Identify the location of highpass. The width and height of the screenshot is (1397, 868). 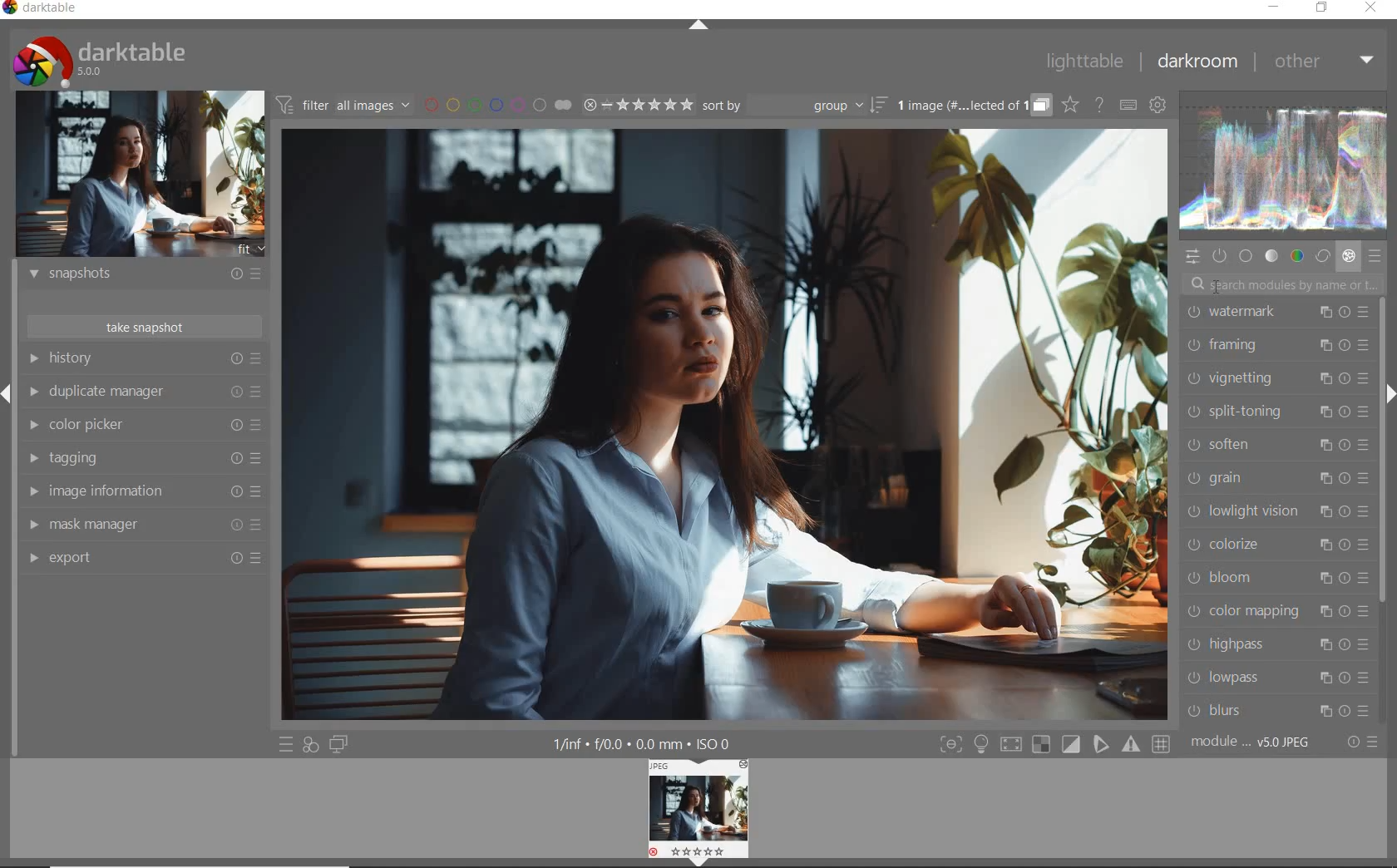
(1281, 645).